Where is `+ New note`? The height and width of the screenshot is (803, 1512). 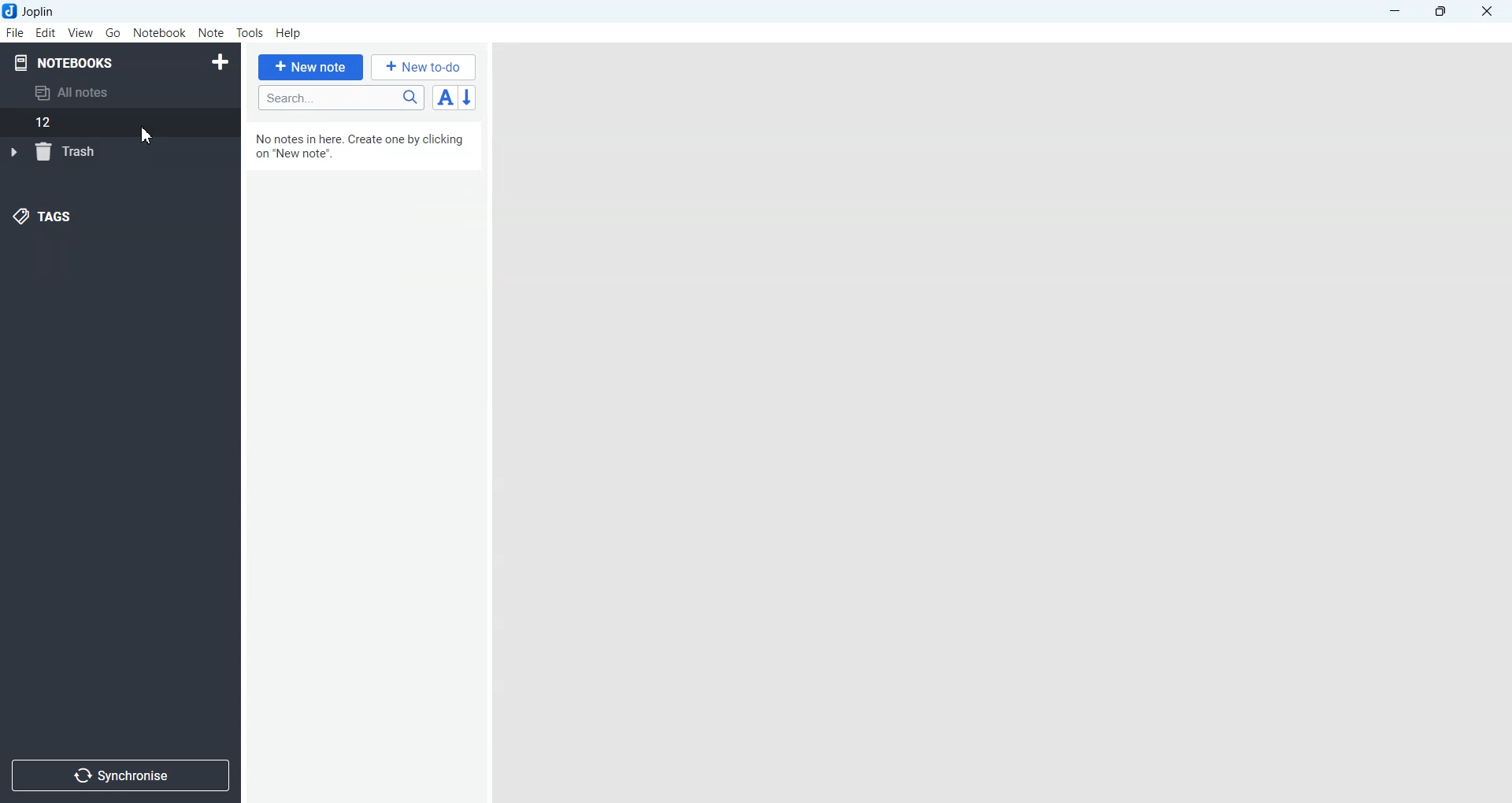 + New note is located at coordinates (311, 67).